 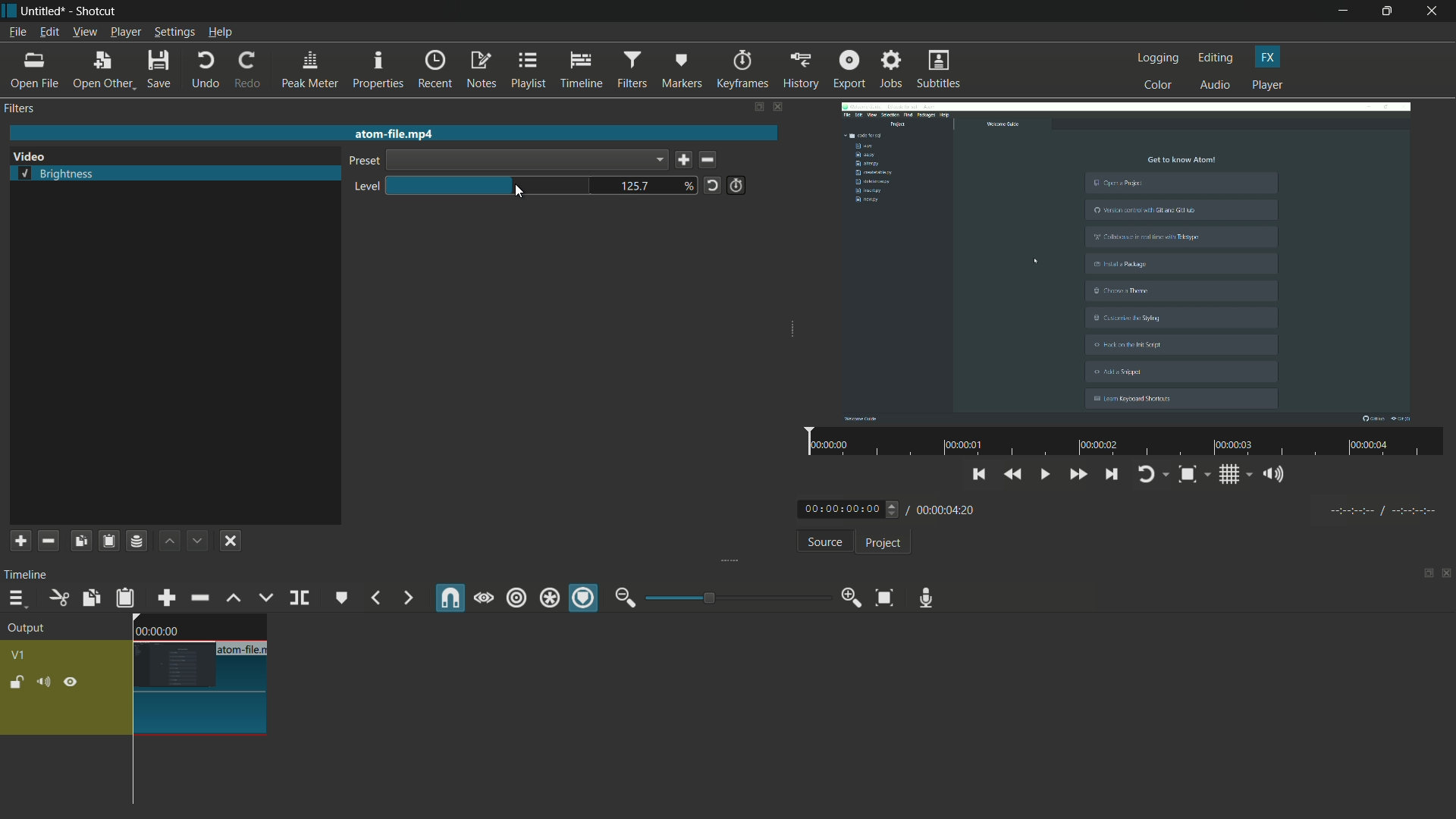 I want to click on remove selected filter, so click(x=49, y=541).